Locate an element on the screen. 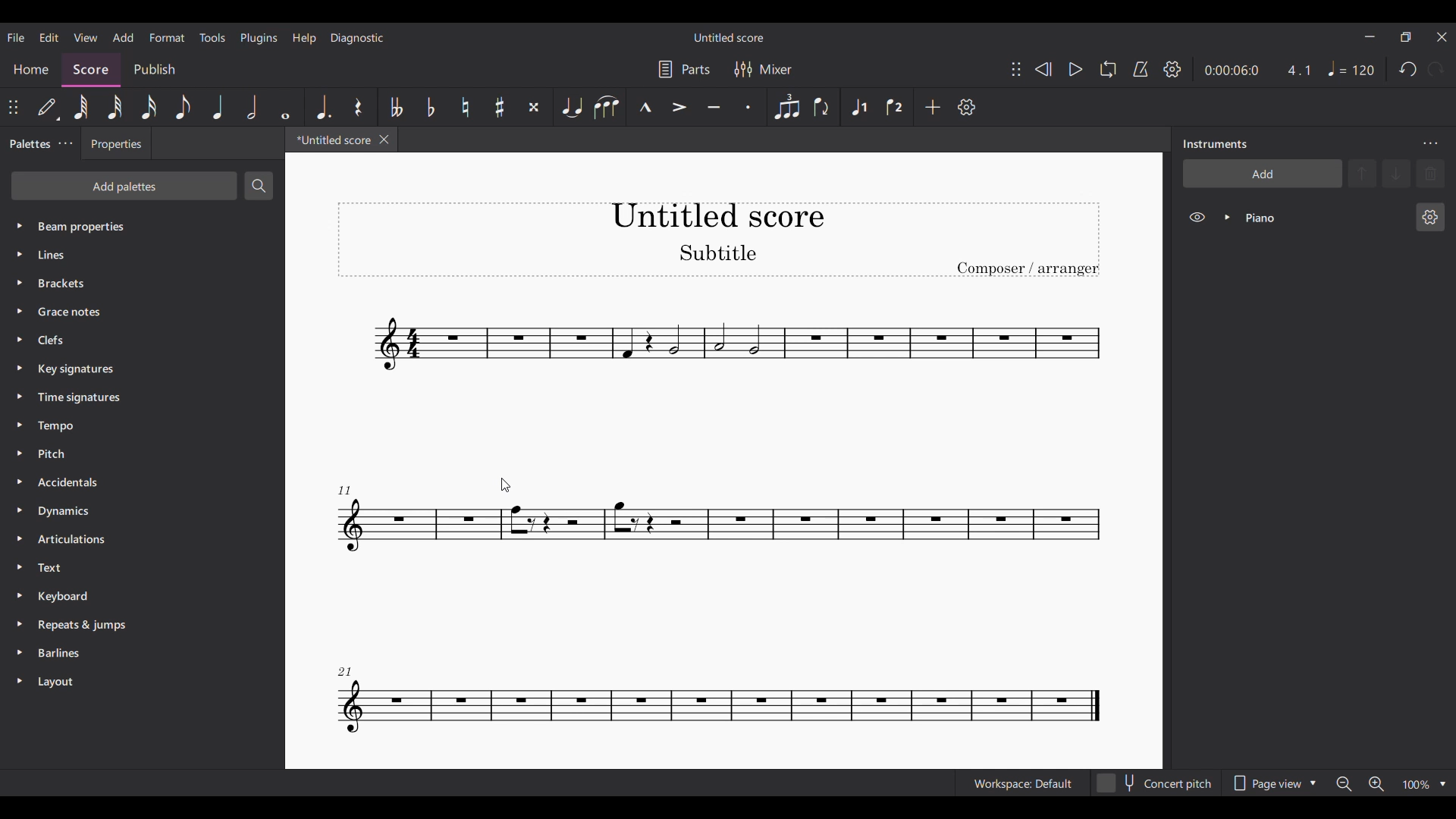 This screenshot has width=1456, height=819. Toggle double sharp is located at coordinates (535, 107).